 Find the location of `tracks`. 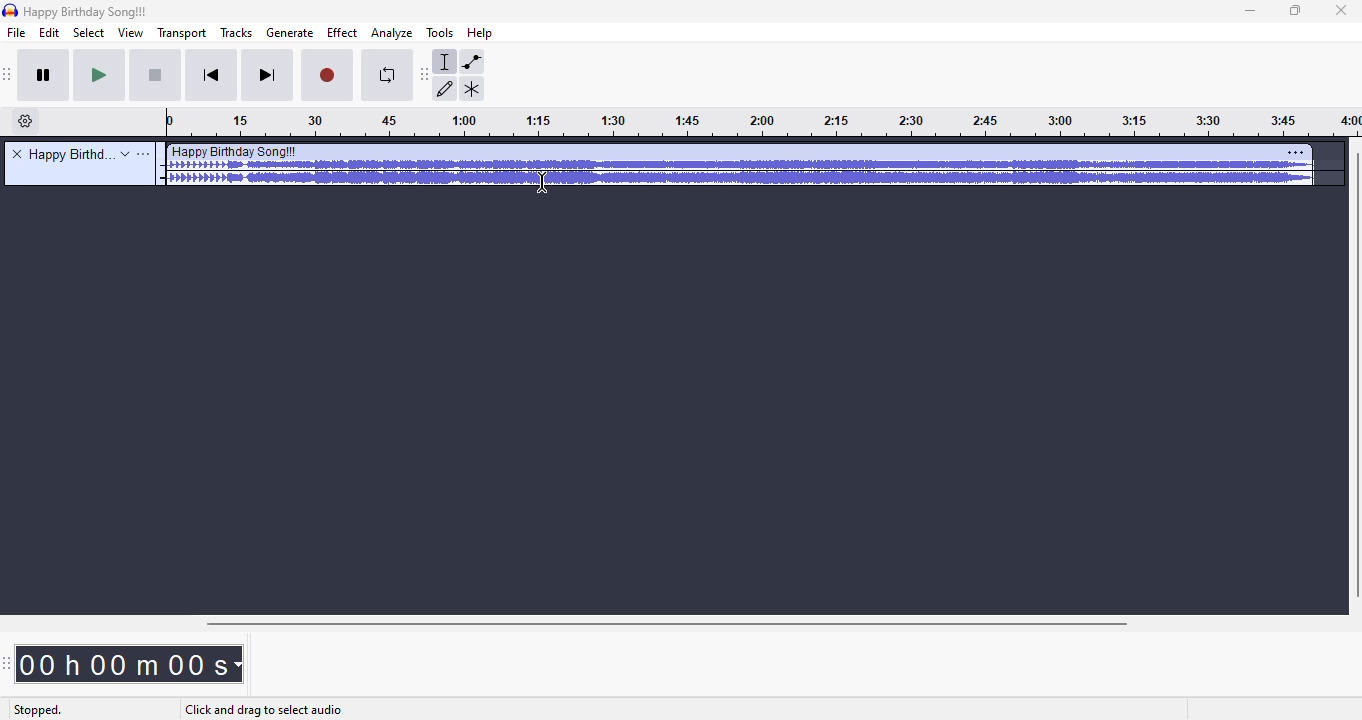

tracks is located at coordinates (237, 32).